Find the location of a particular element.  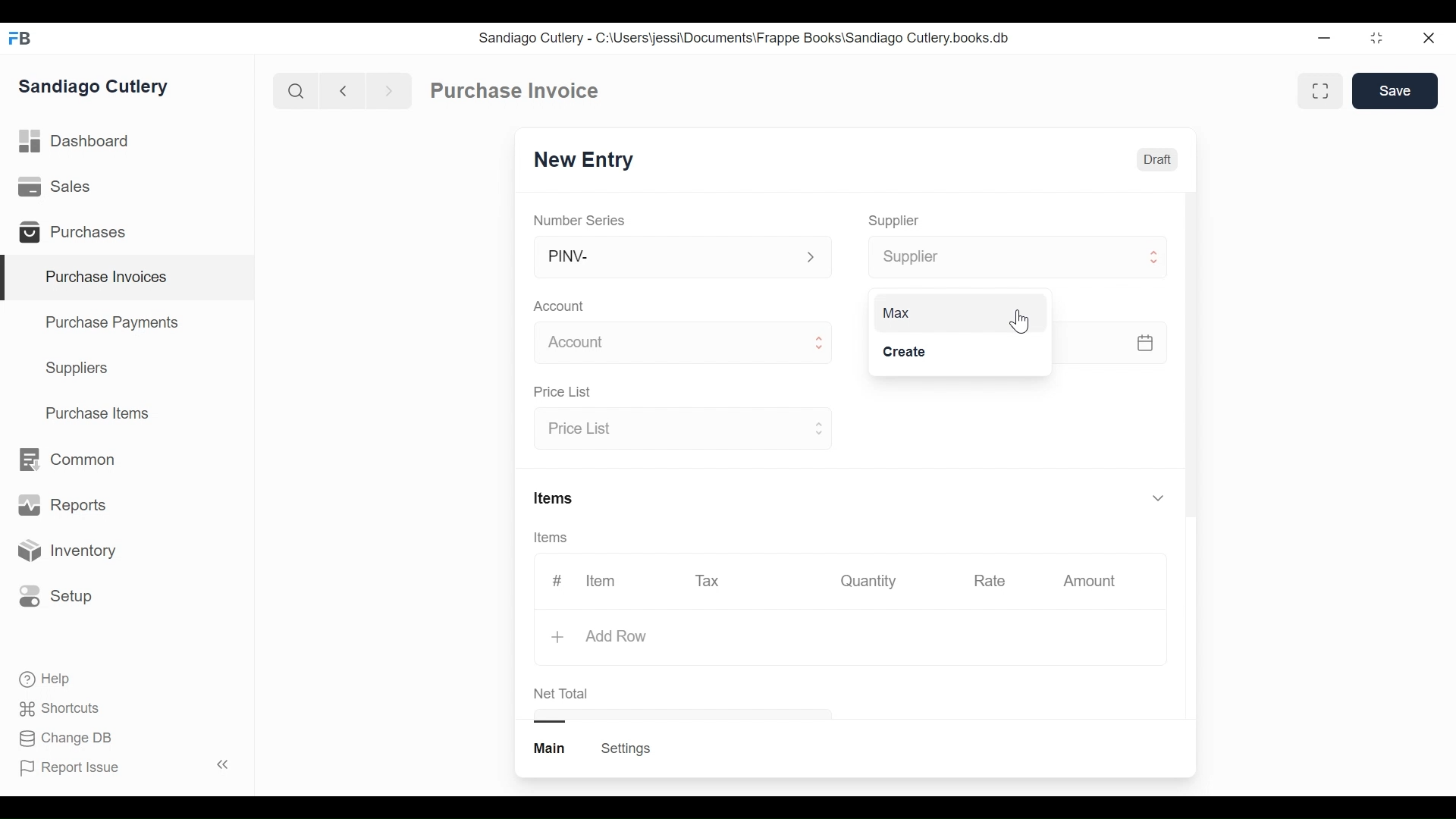

Sales is located at coordinates (58, 187).